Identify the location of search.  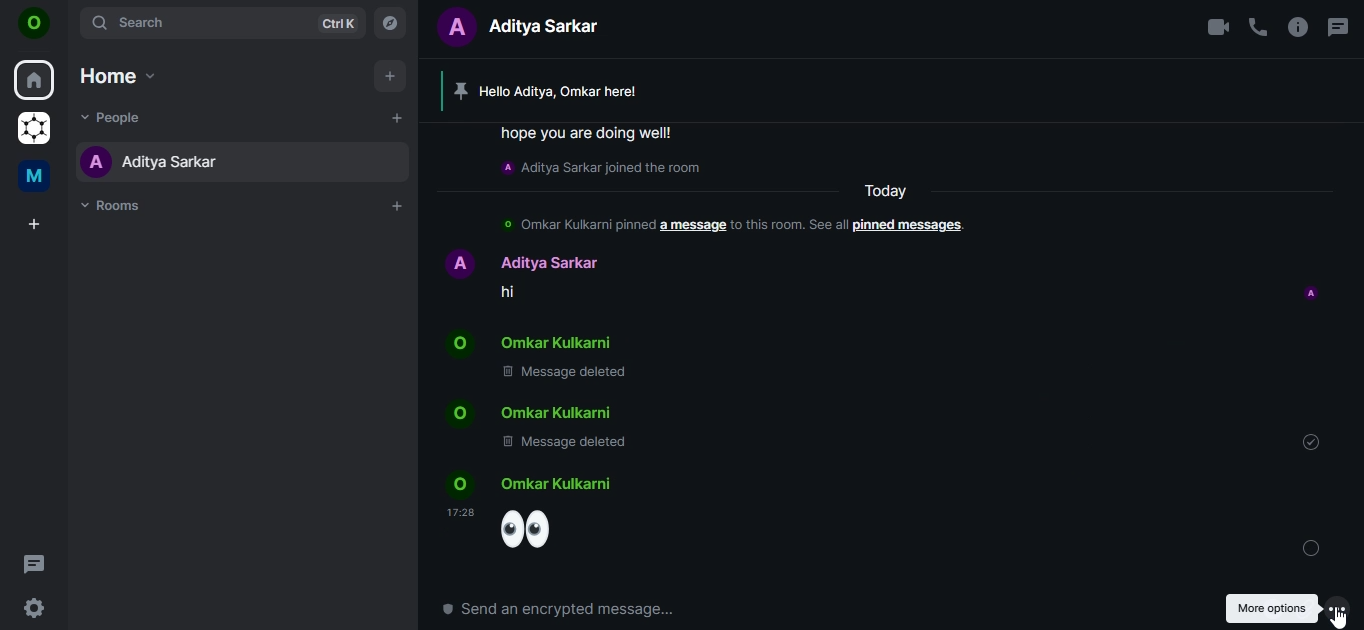
(225, 23).